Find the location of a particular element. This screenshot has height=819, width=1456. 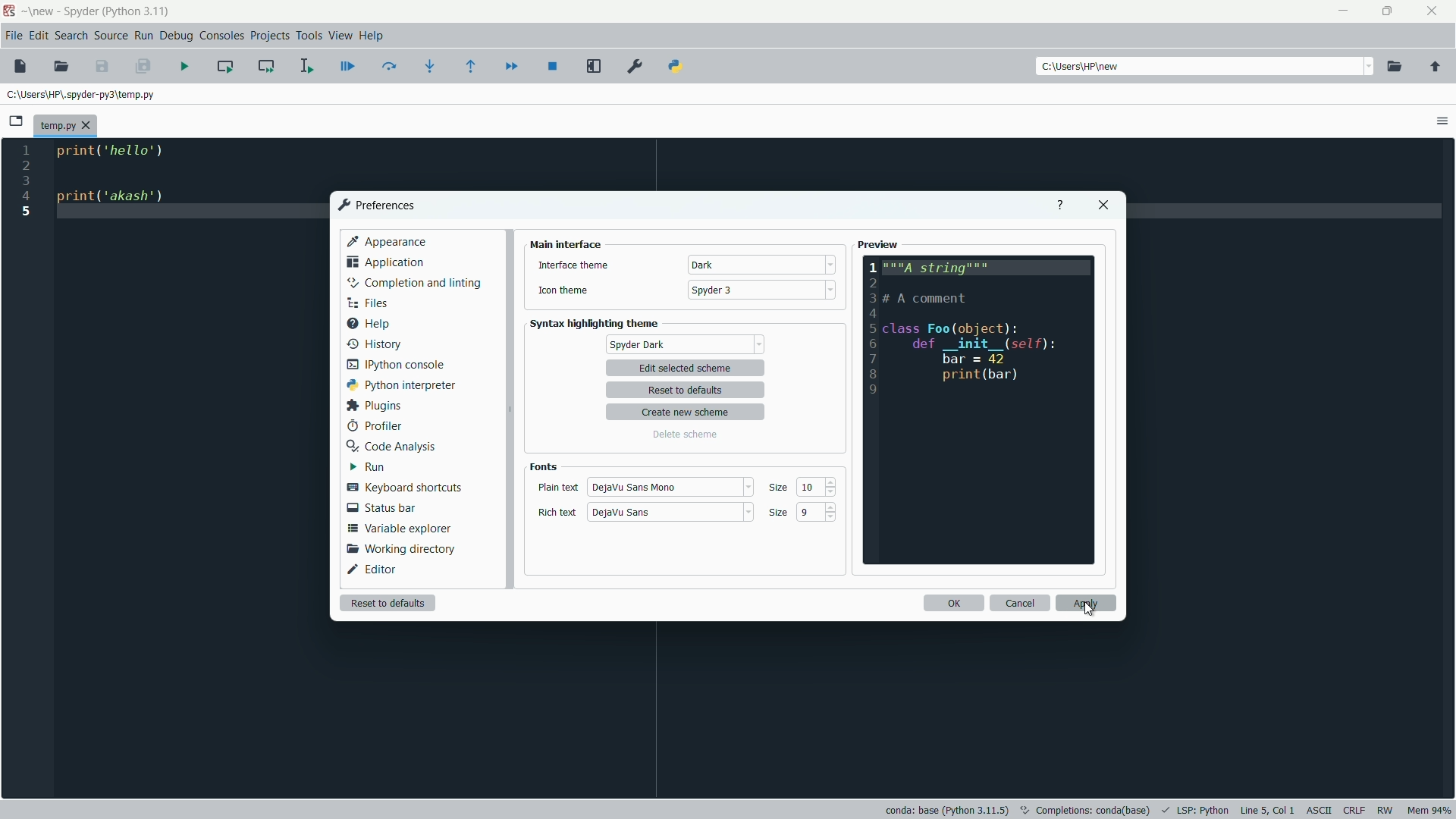

tools menu is located at coordinates (308, 36).